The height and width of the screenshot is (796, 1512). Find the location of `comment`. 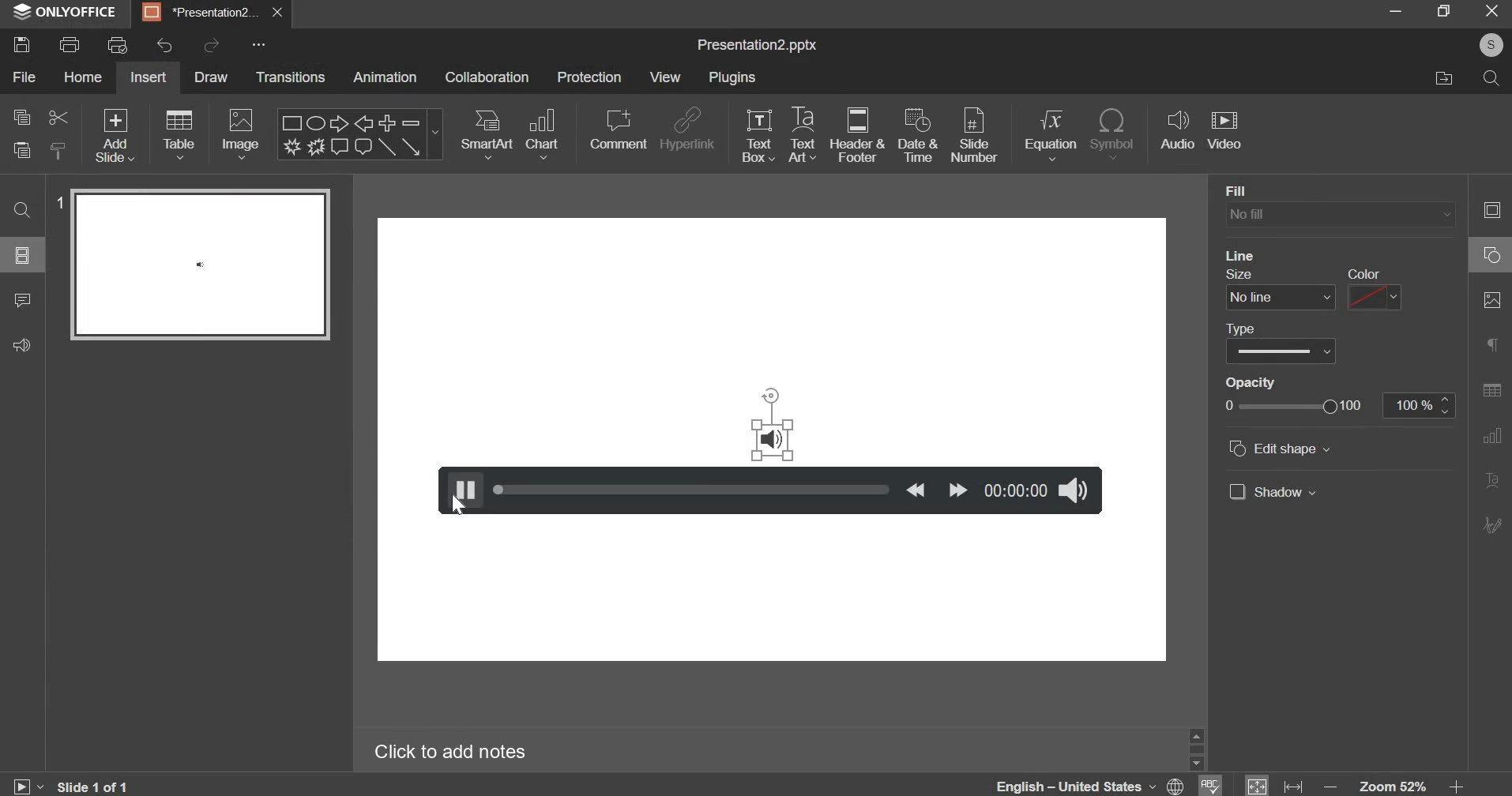

comment is located at coordinates (28, 302).